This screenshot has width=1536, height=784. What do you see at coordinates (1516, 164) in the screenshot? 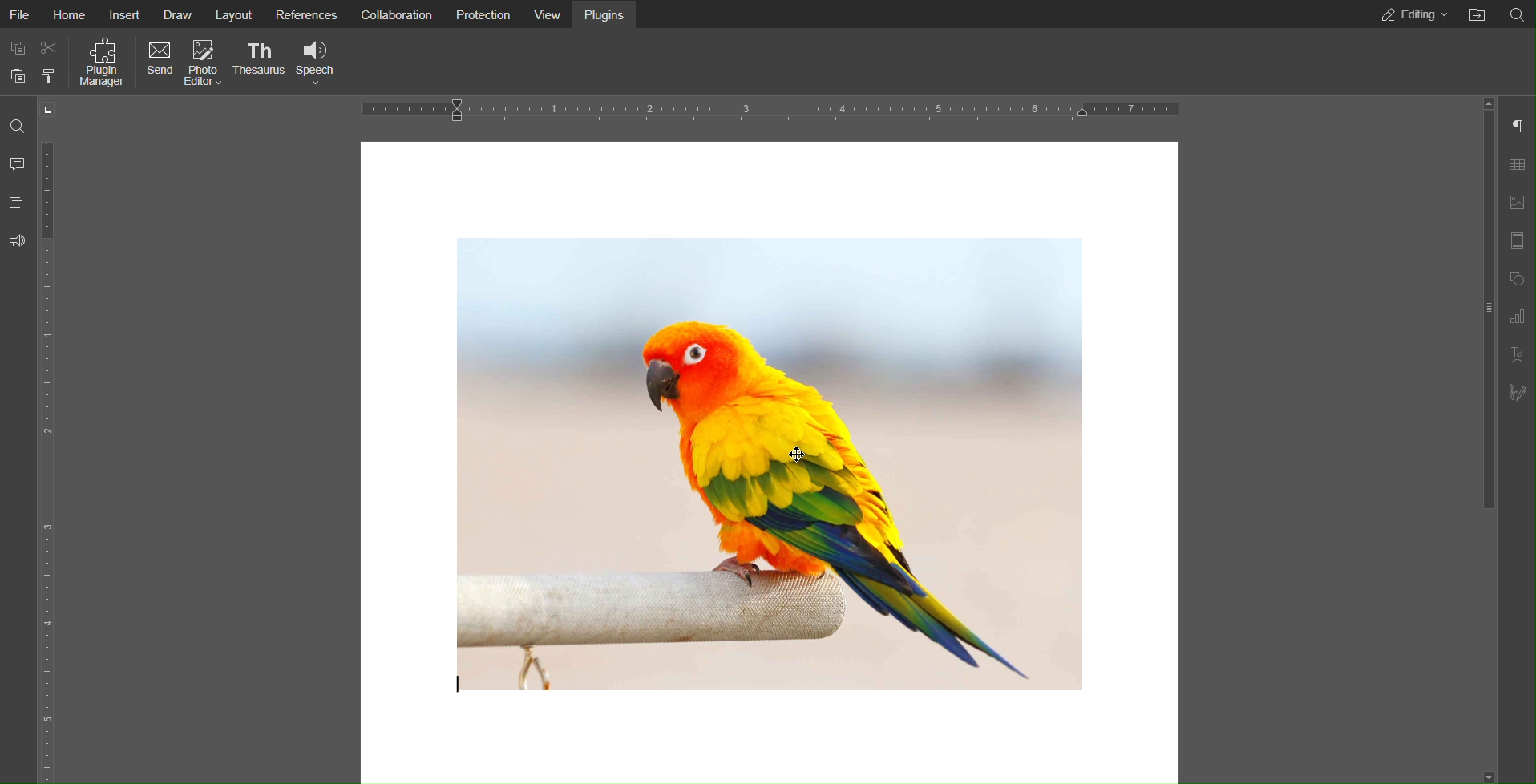
I see `Table Settings` at bounding box center [1516, 164].